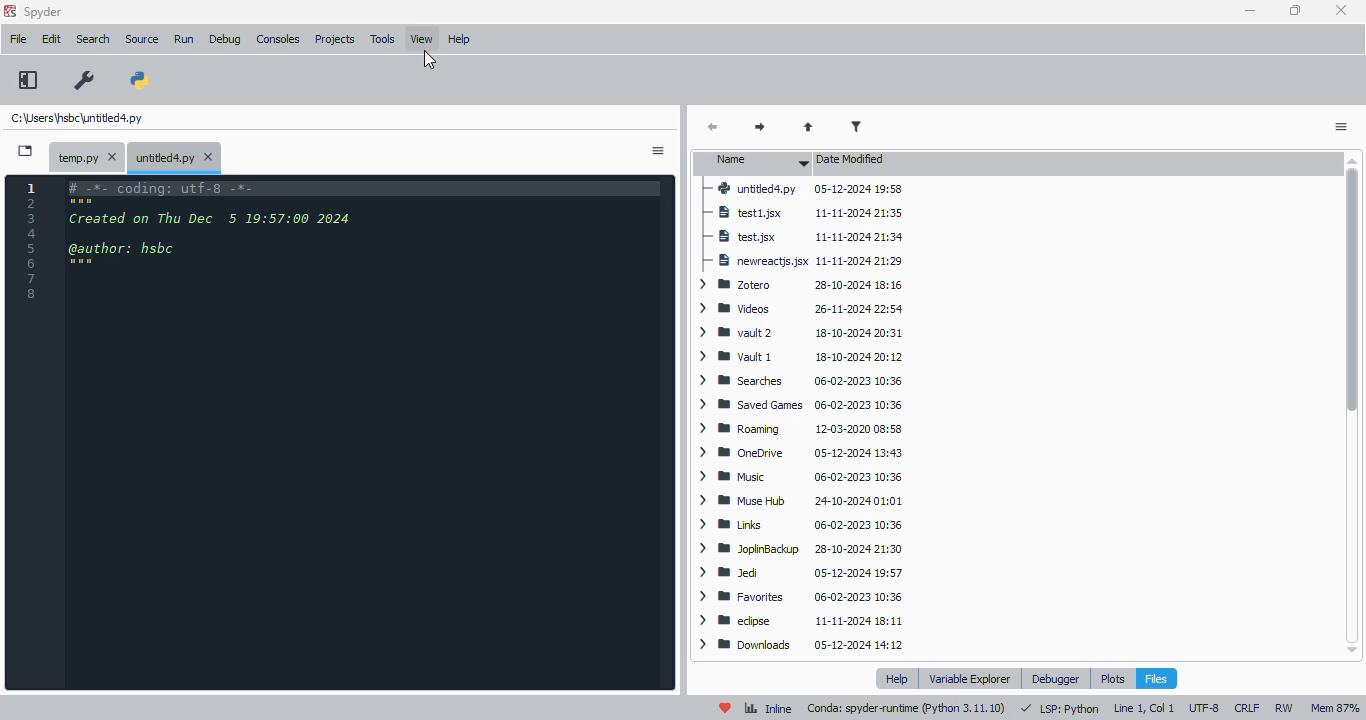  I want to click on test.jsx, so click(801, 238).